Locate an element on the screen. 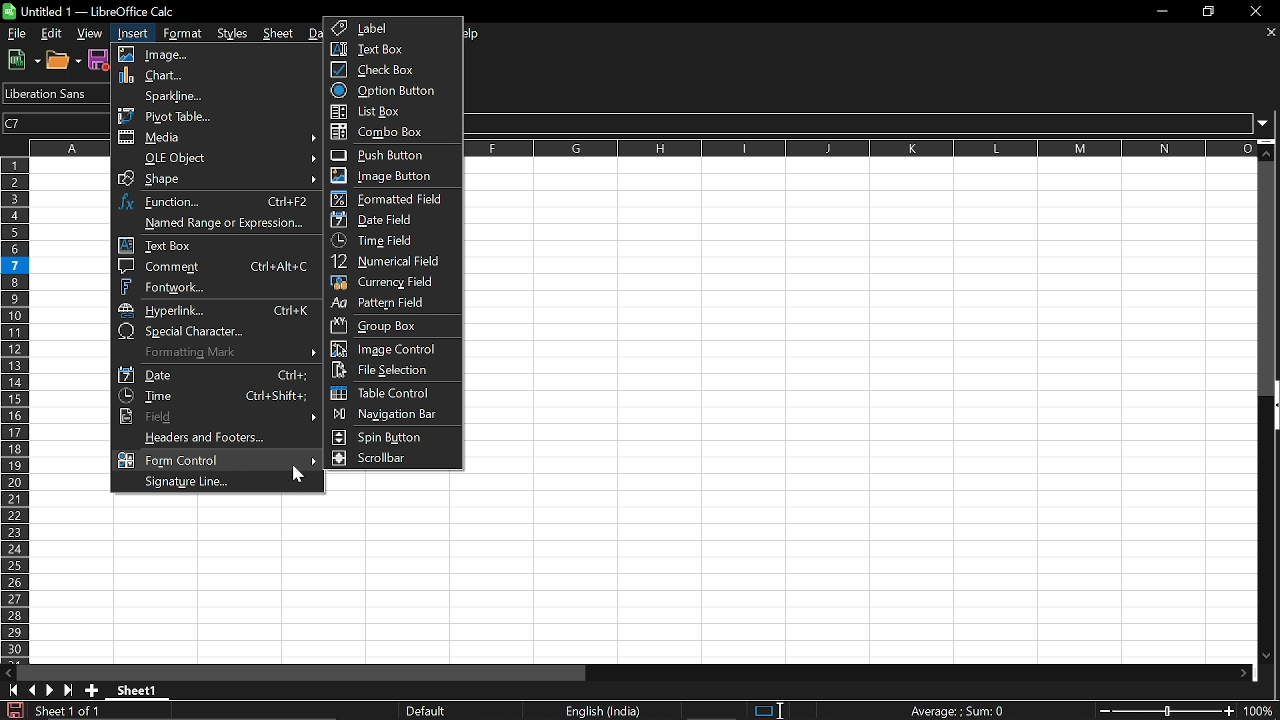 The height and width of the screenshot is (720, 1280). Close  is located at coordinates (1260, 11).